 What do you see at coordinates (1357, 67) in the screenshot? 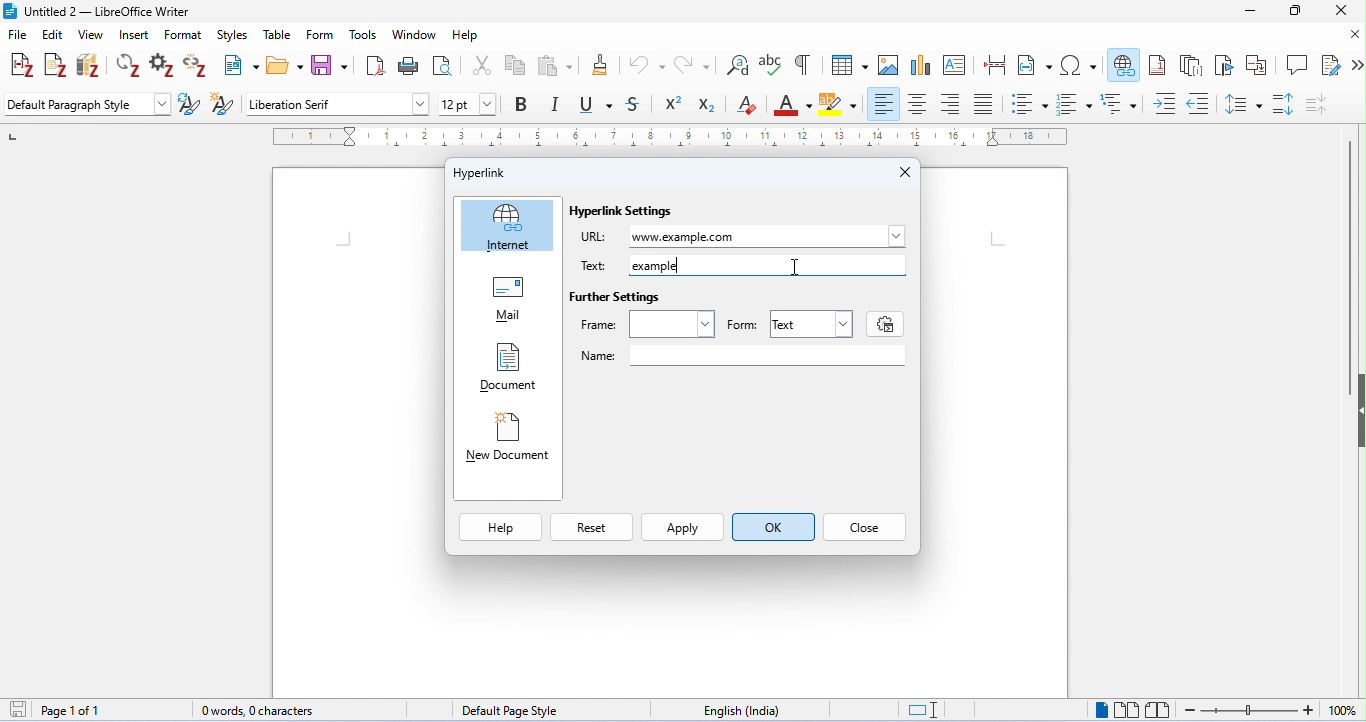
I see `more` at bounding box center [1357, 67].